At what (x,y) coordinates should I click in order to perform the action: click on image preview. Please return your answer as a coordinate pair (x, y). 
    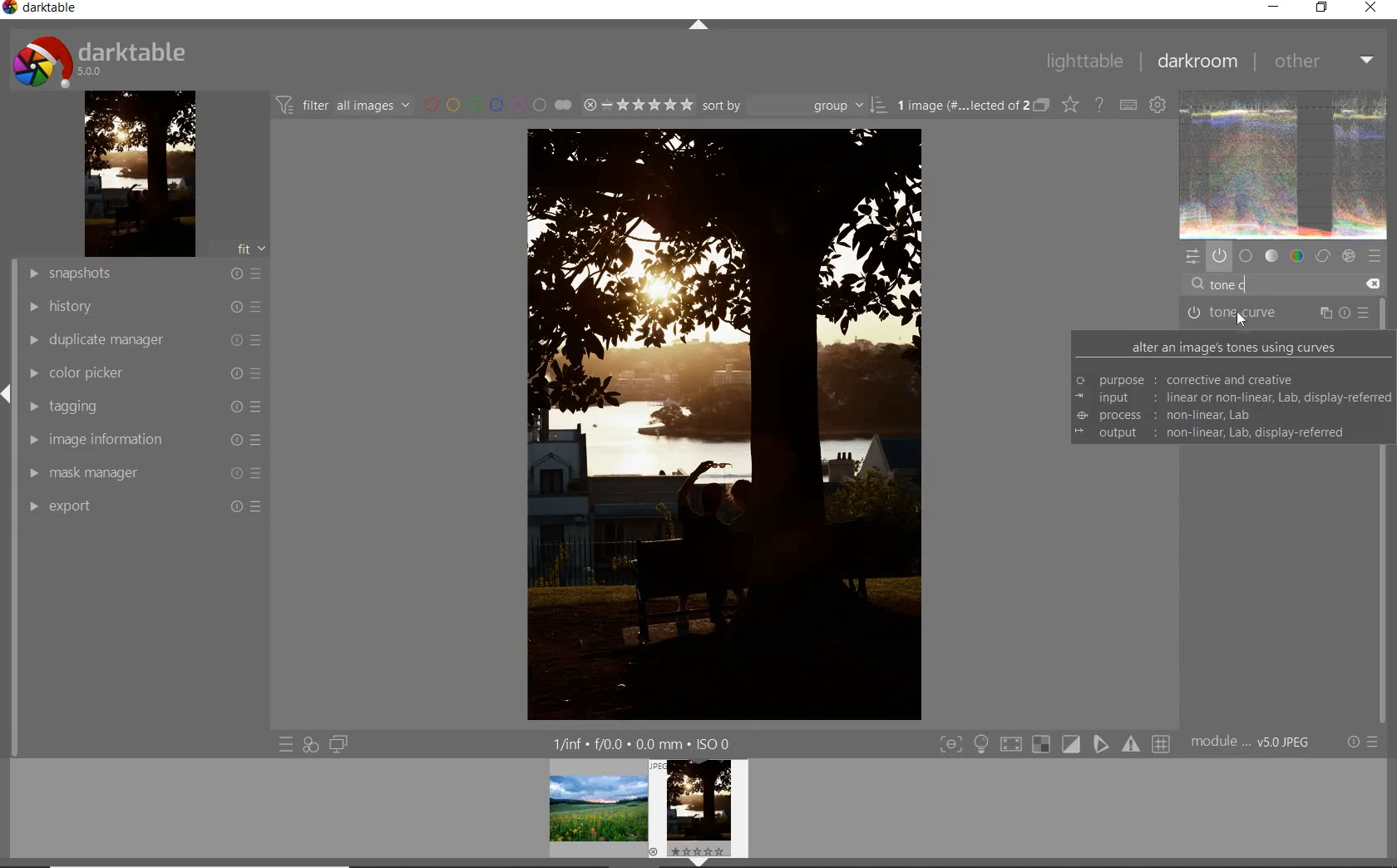
    Looking at the image, I should click on (657, 812).